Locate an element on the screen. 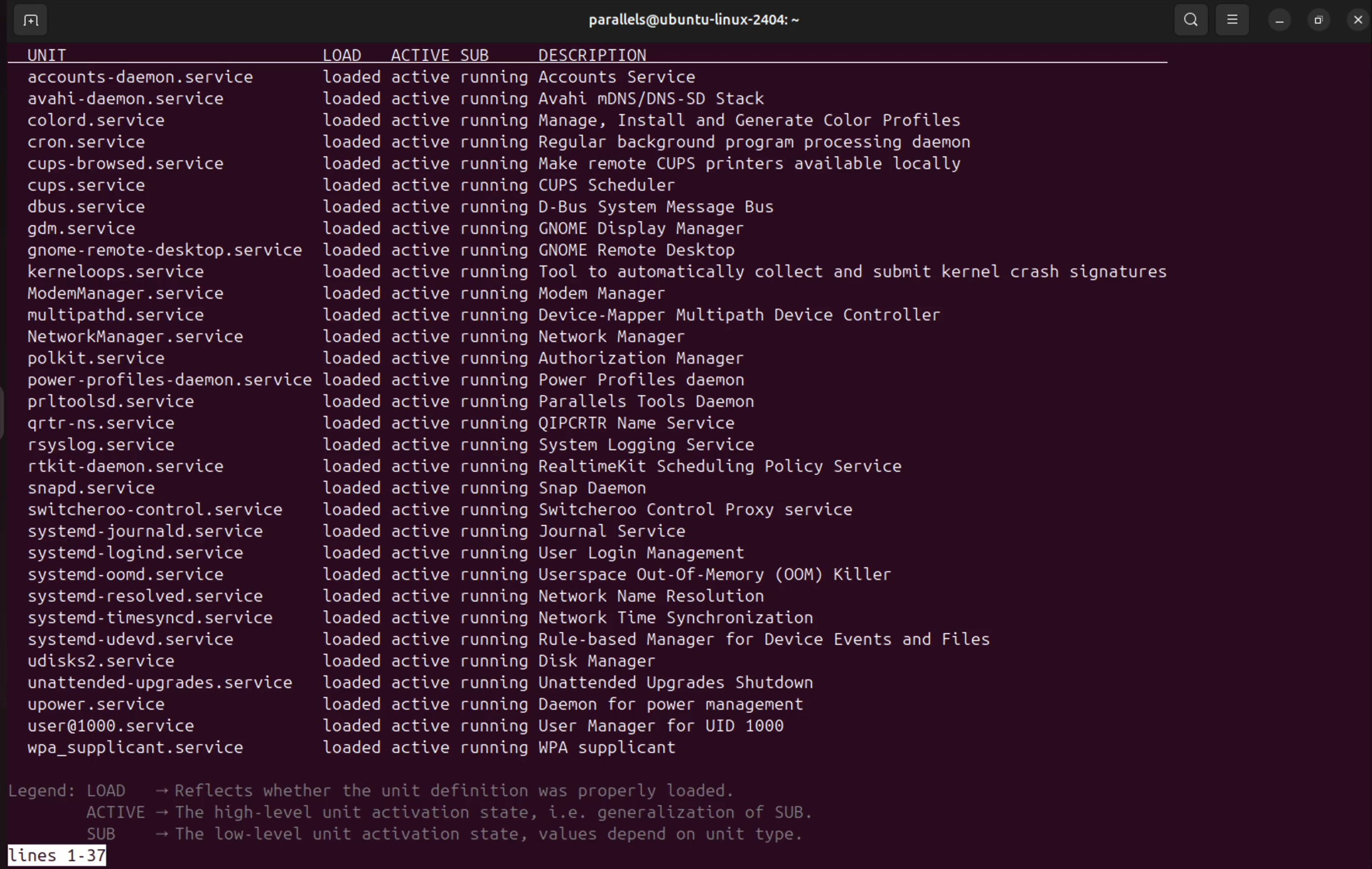 The height and width of the screenshot is (869, 1372). snaped device is located at coordinates (96, 491).